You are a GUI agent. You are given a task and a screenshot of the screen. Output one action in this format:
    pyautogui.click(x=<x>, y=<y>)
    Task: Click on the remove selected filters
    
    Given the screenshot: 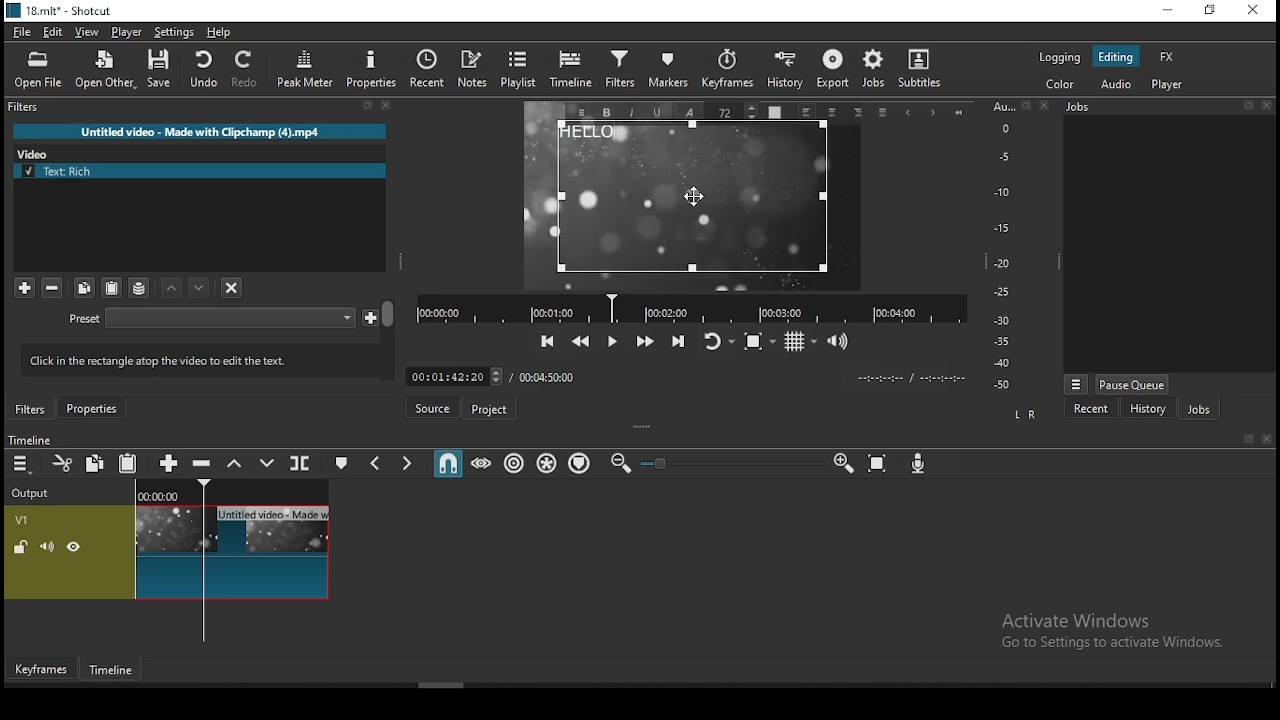 What is the action you would take?
    pyautogui.click(x=53, y=289)
    